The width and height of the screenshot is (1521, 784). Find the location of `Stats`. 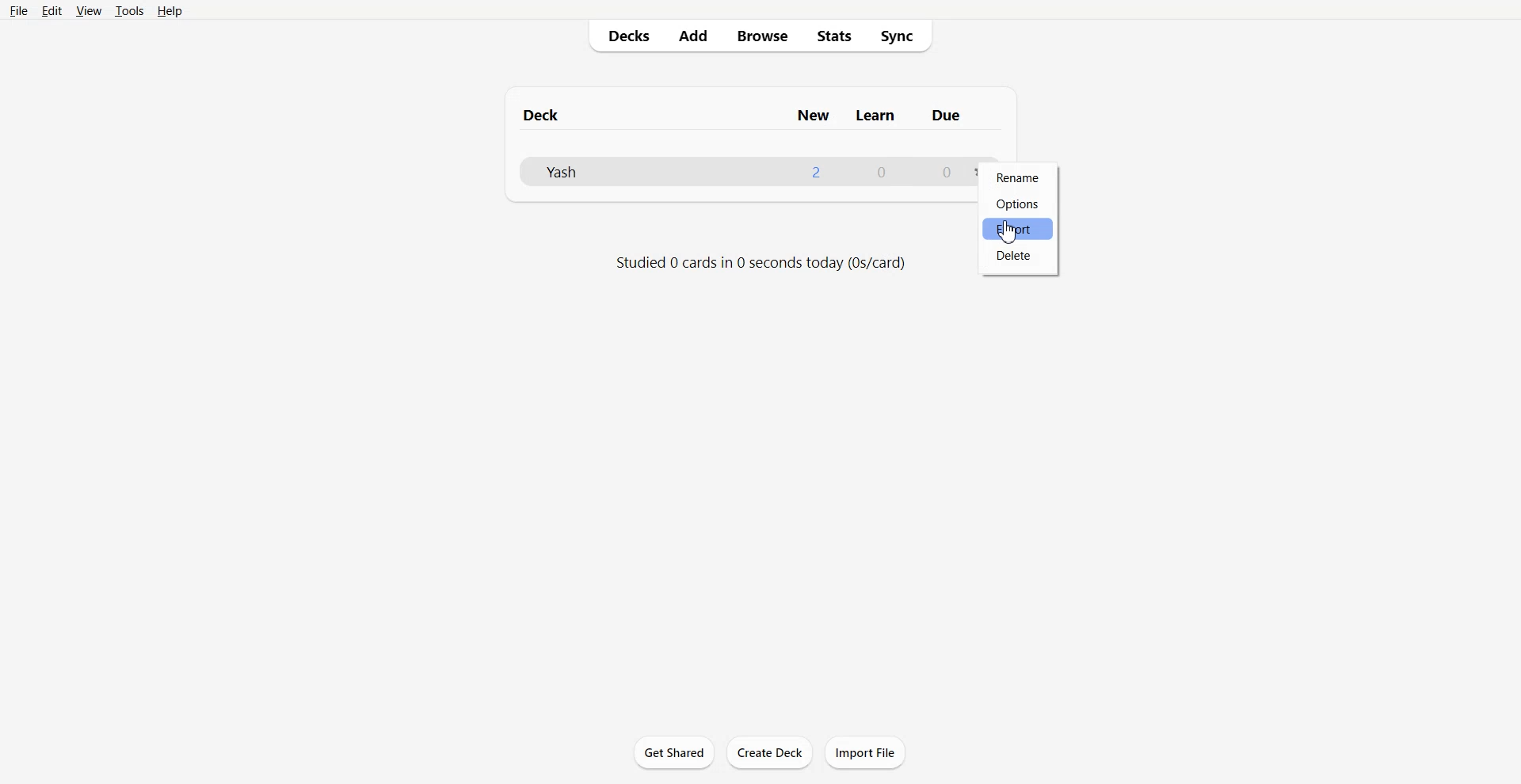

Stats is located at coordinates (835, 36).